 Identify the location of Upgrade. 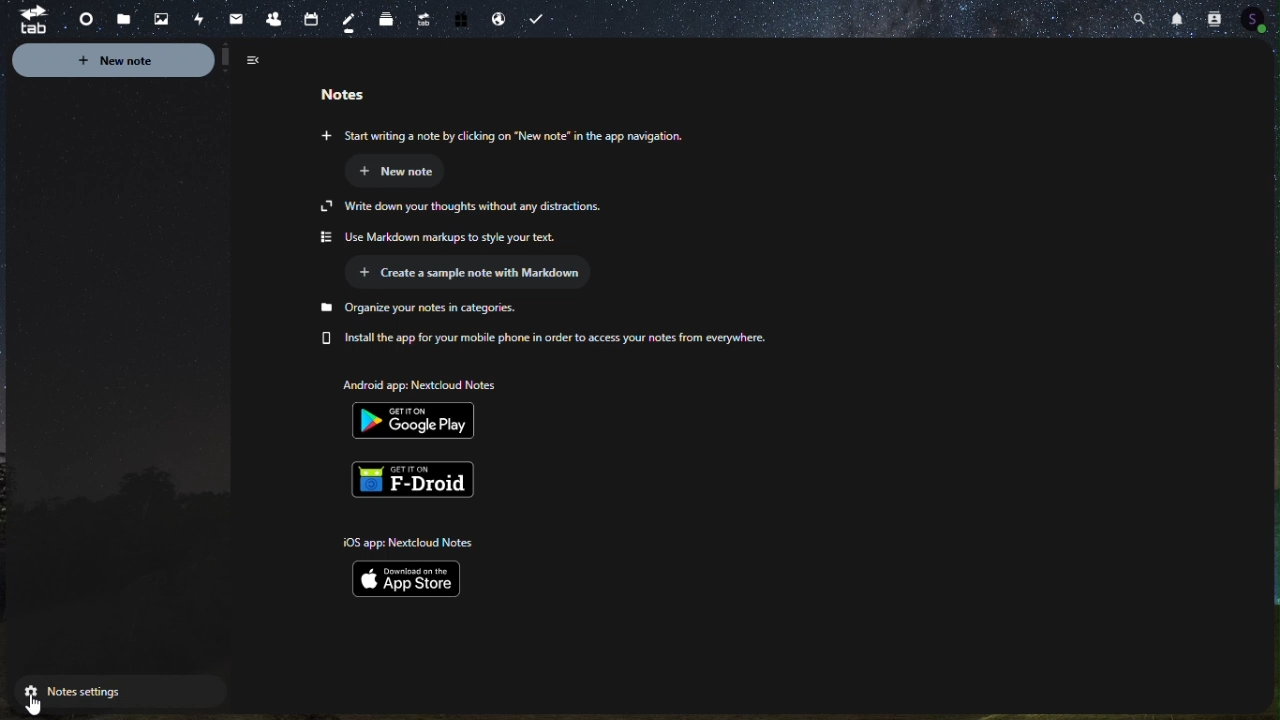
(423, 20).